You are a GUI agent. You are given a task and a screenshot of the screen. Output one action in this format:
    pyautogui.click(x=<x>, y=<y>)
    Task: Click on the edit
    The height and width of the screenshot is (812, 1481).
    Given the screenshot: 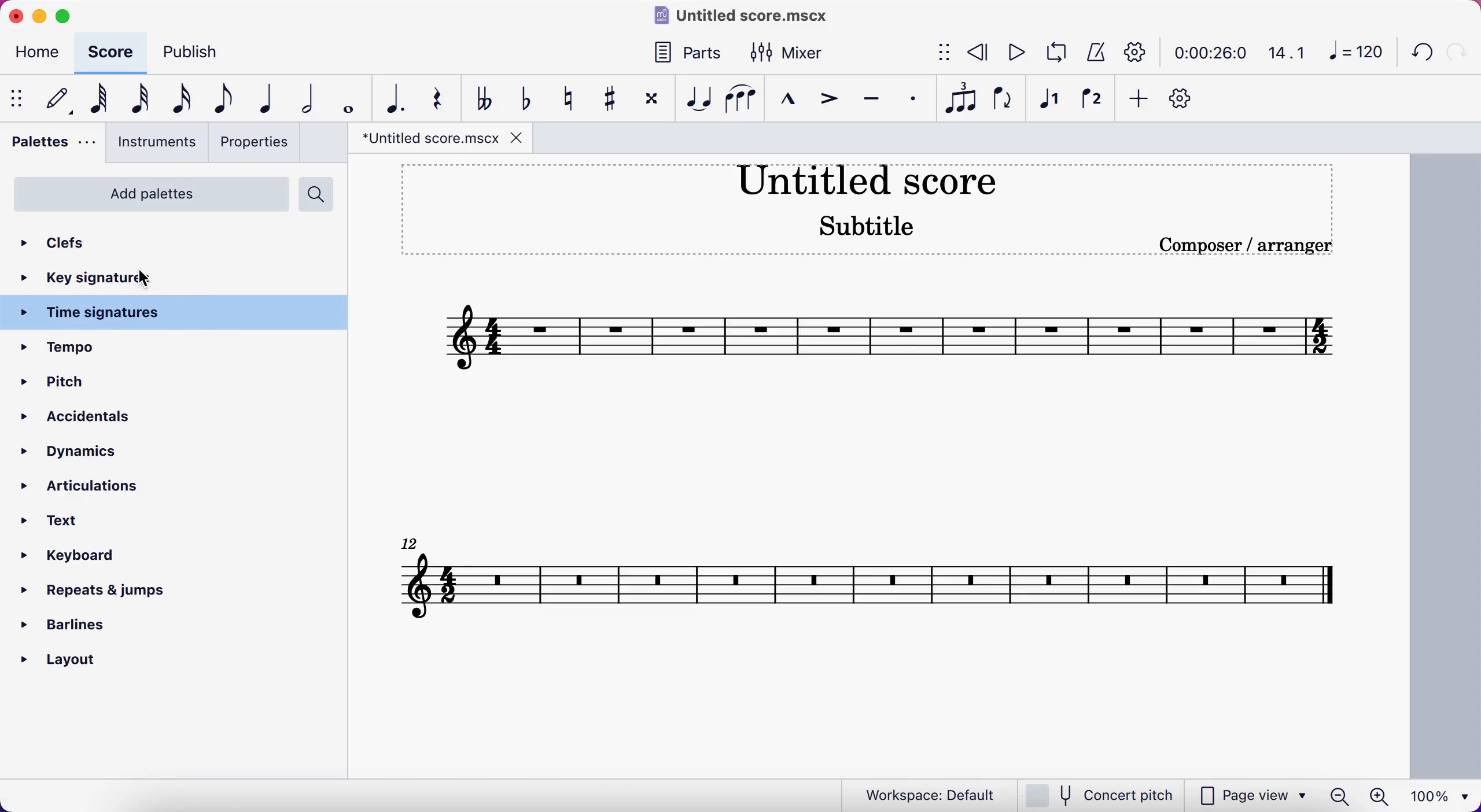 What is the action you would take?
    pyautogui.click(x=62, y=99)
    